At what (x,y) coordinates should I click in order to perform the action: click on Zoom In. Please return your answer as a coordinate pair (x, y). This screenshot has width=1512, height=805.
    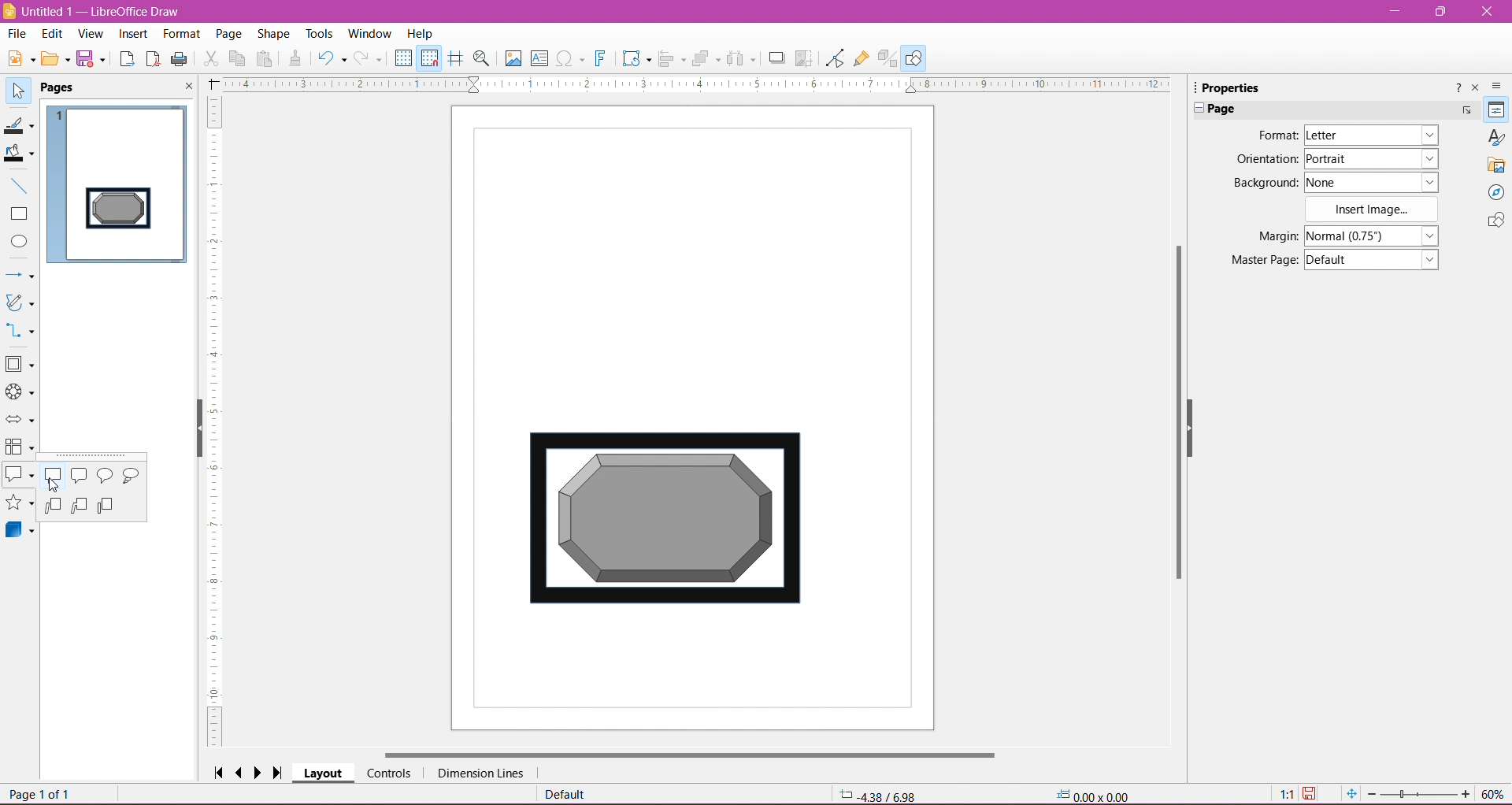
    Looking at the image, I should click on (1467, 795).